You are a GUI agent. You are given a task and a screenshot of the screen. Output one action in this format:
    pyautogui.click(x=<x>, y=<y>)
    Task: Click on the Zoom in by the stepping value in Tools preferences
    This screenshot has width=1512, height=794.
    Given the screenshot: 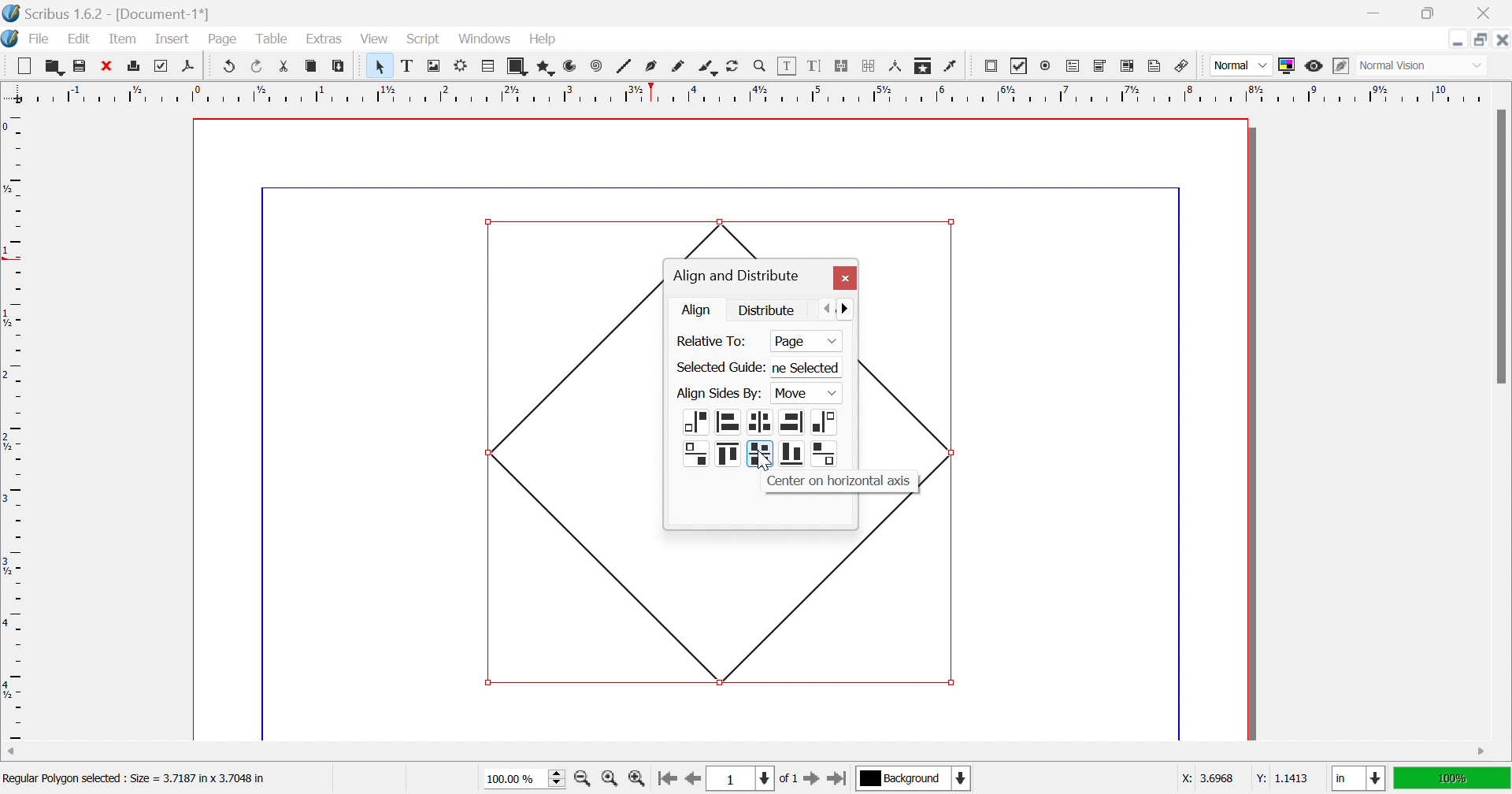 What is the action you would take?
    pyautogui.click(x=636, y=782)
    